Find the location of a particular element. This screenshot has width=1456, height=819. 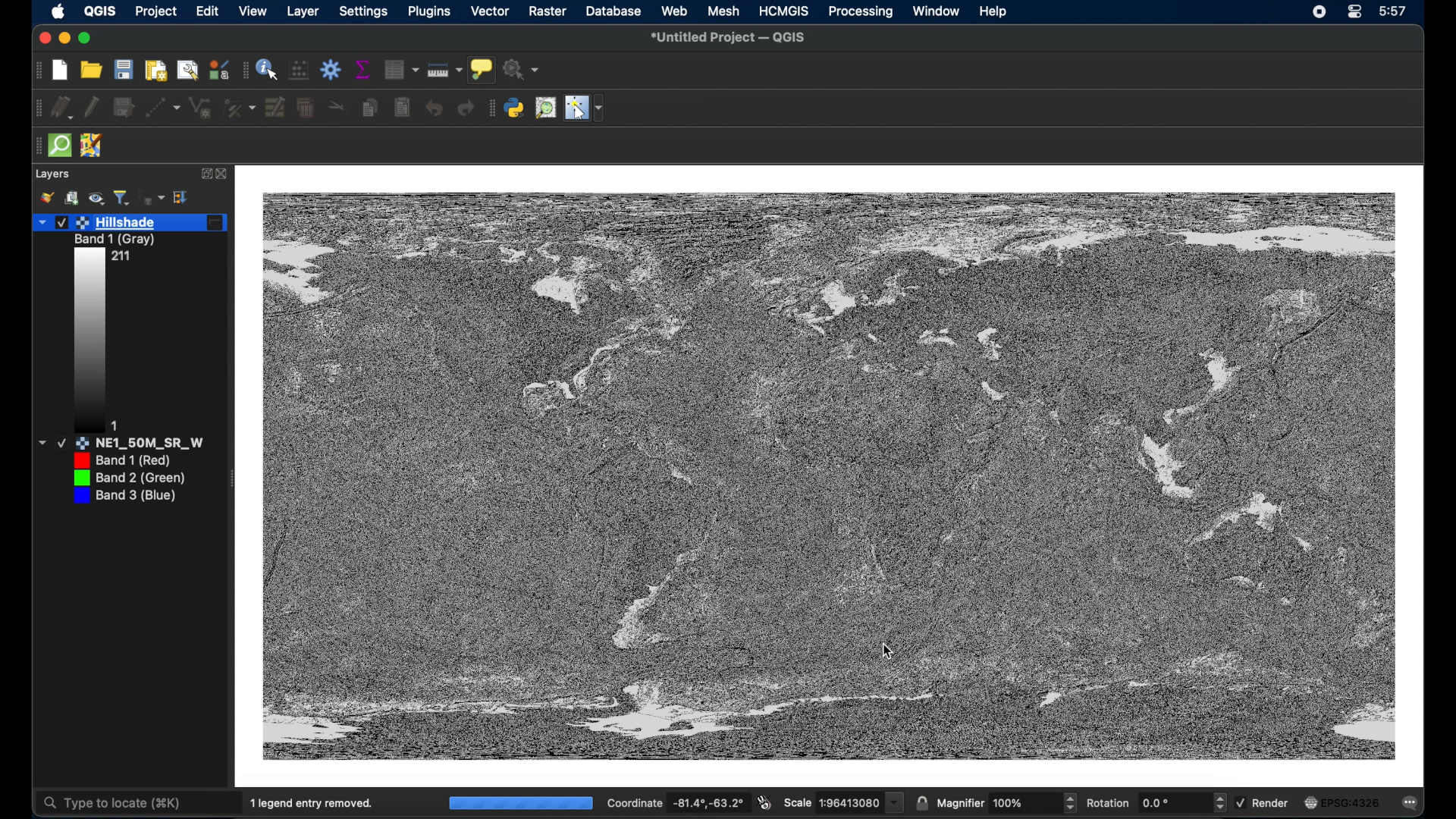

time is located at coordinates (1393, 11).